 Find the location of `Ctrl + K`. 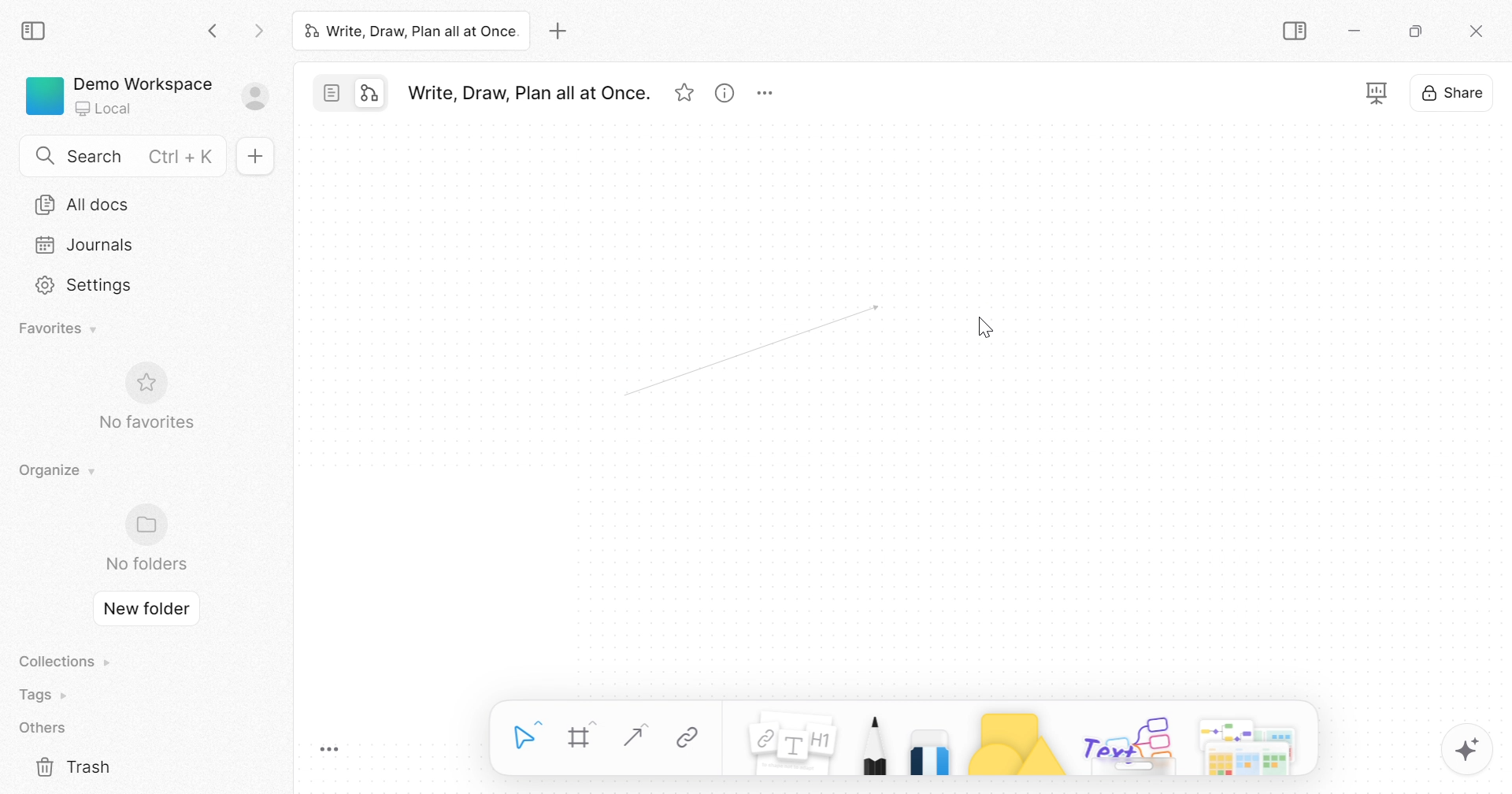

Ctrl + K is located at coordinates (184, 157).